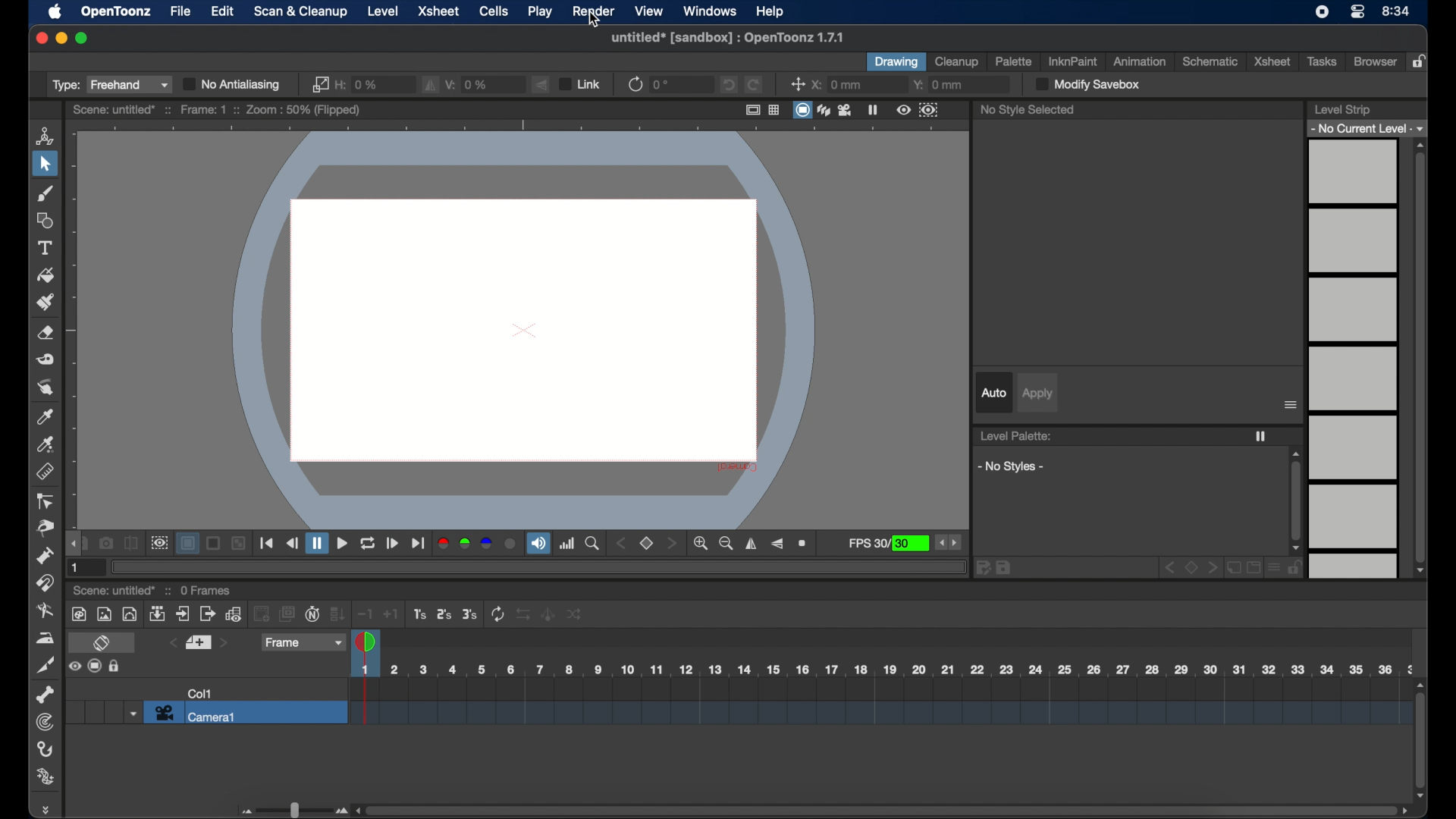 This screenshot has width=1456, height=819. Describe the element at coordinates (46, 416) in the screenshot. I see `color picker tool` at that location.